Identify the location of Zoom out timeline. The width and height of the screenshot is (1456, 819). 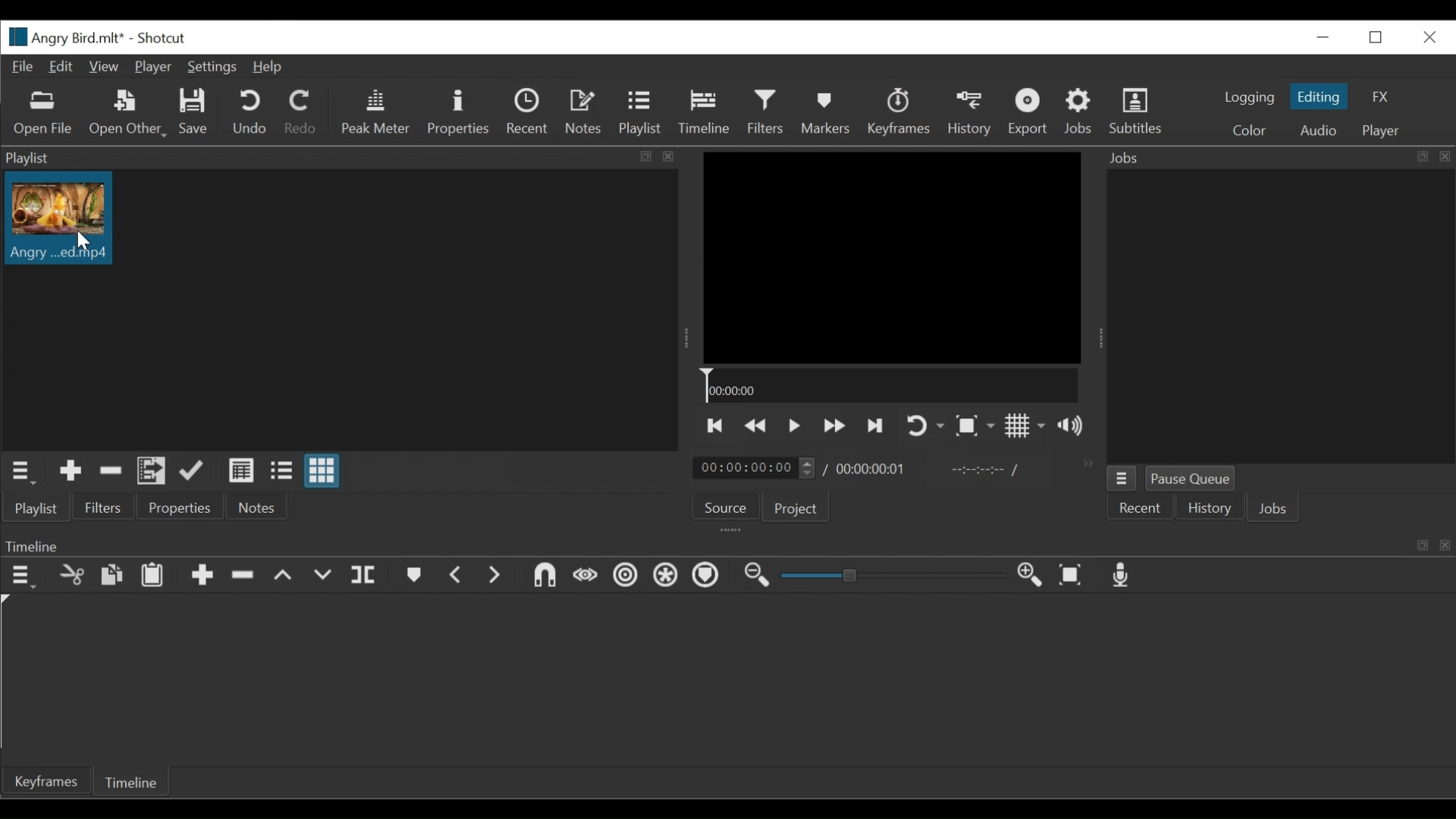
(758, 577).